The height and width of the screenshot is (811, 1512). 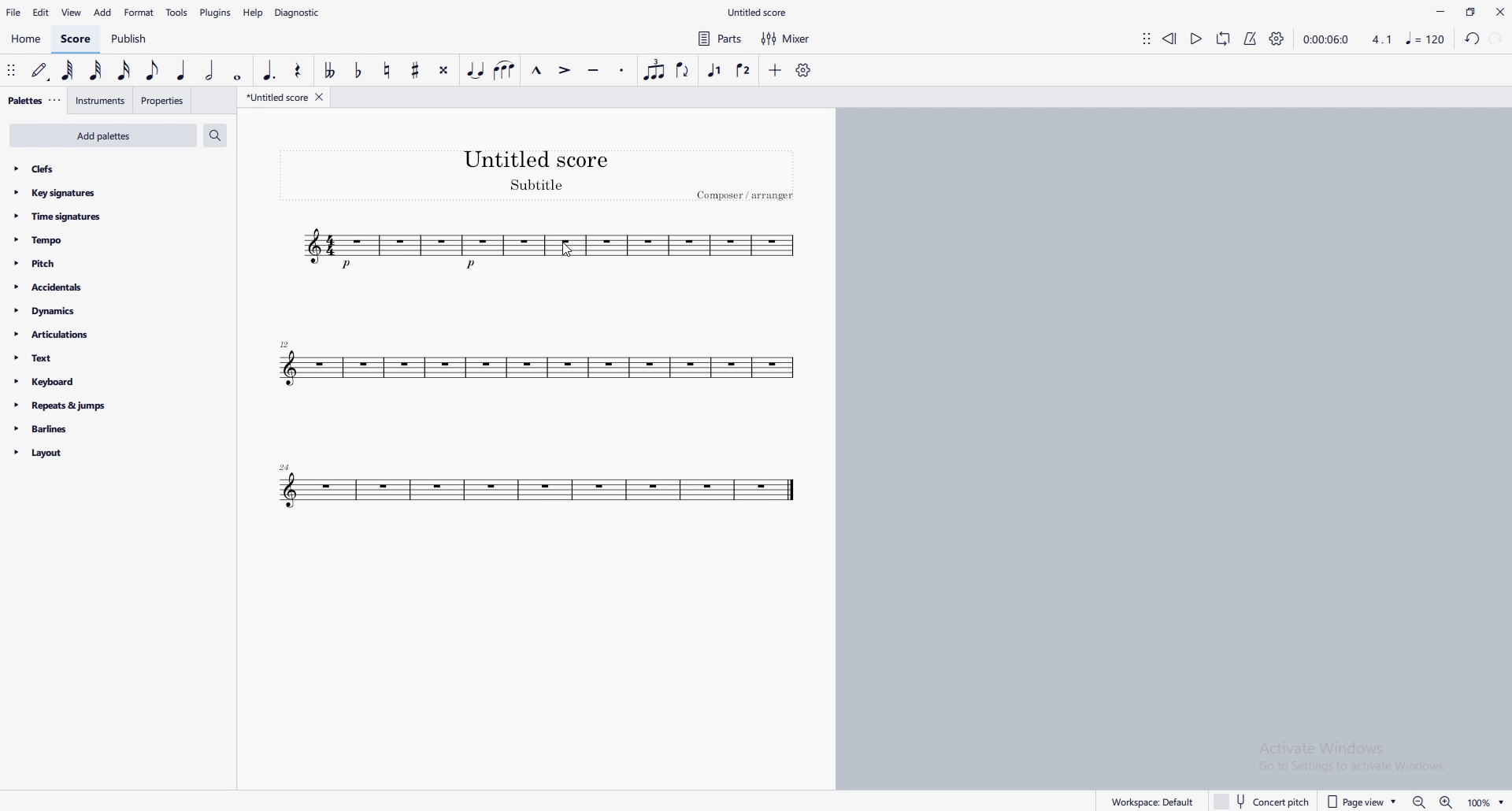 What do you see at coordinates (102, 310) in the screenshot?
I see `dynamics` at bounding box center [102, 310].